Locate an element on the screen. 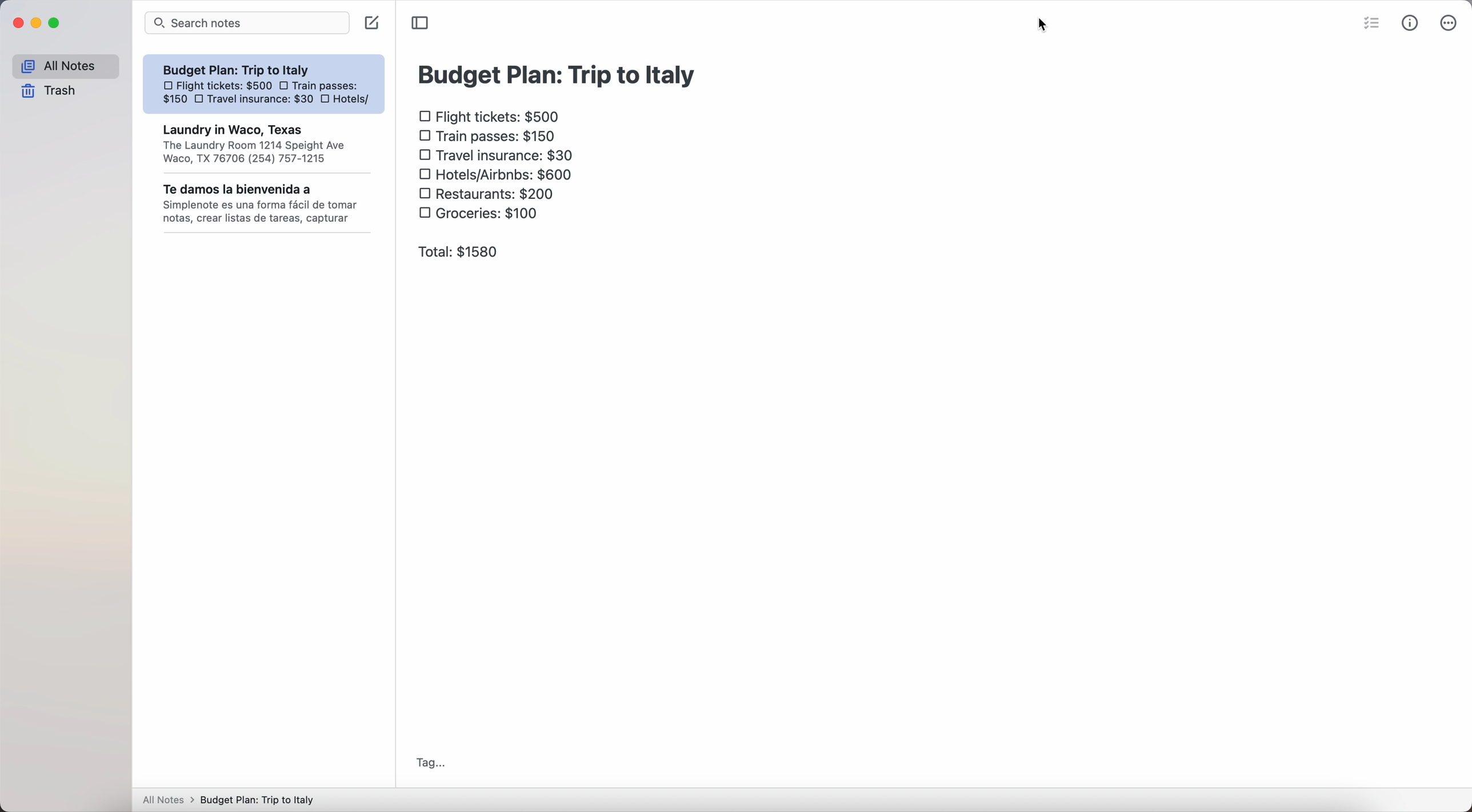 The height and width of the screenshot is (812, 1472). close Simplenote is located at coordinates (18, 24).